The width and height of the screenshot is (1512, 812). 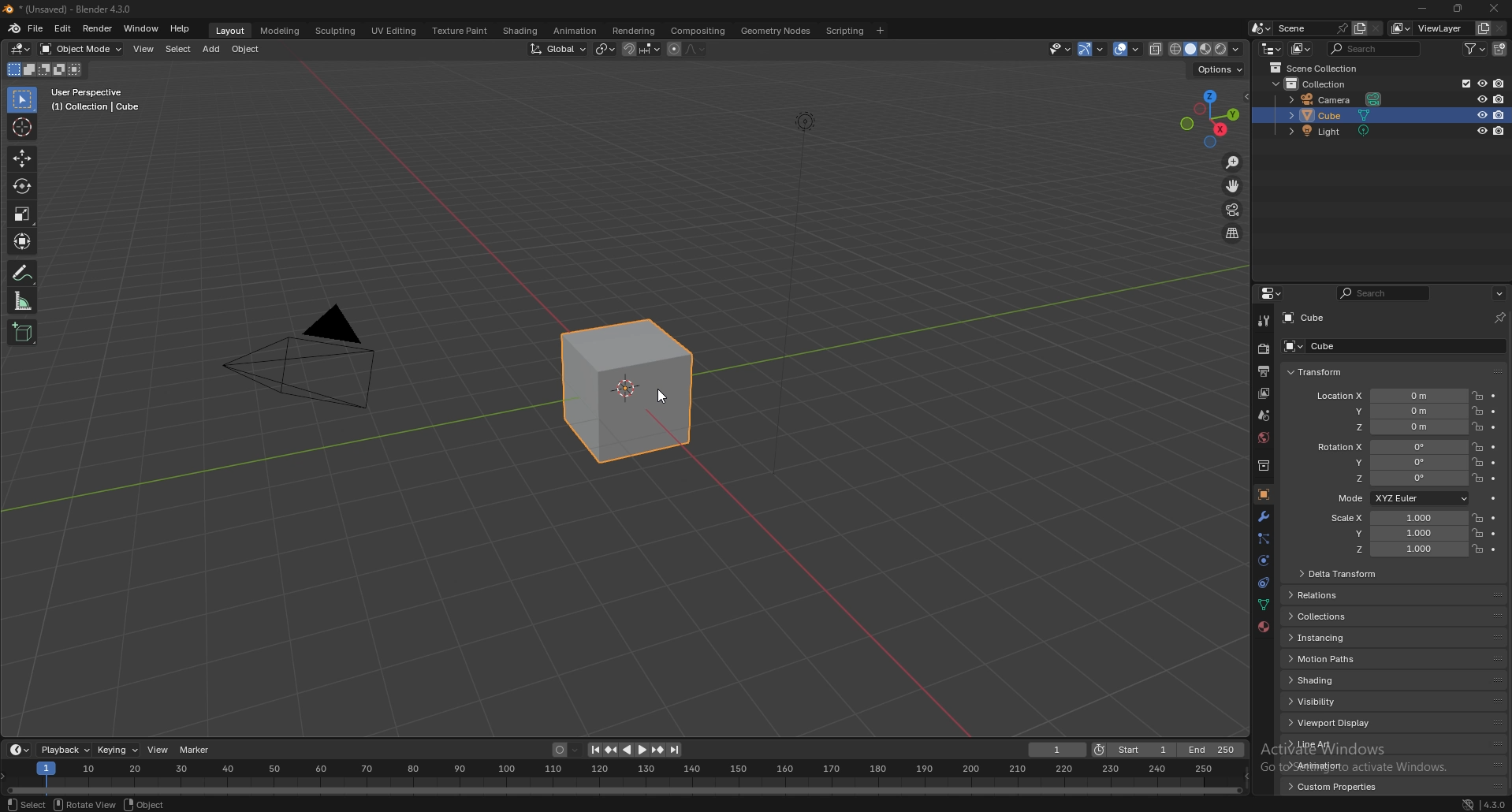 What do you see at coordinates (1131, 750) in the screenshot?
I see `start` at bounding box center [1131, 750].